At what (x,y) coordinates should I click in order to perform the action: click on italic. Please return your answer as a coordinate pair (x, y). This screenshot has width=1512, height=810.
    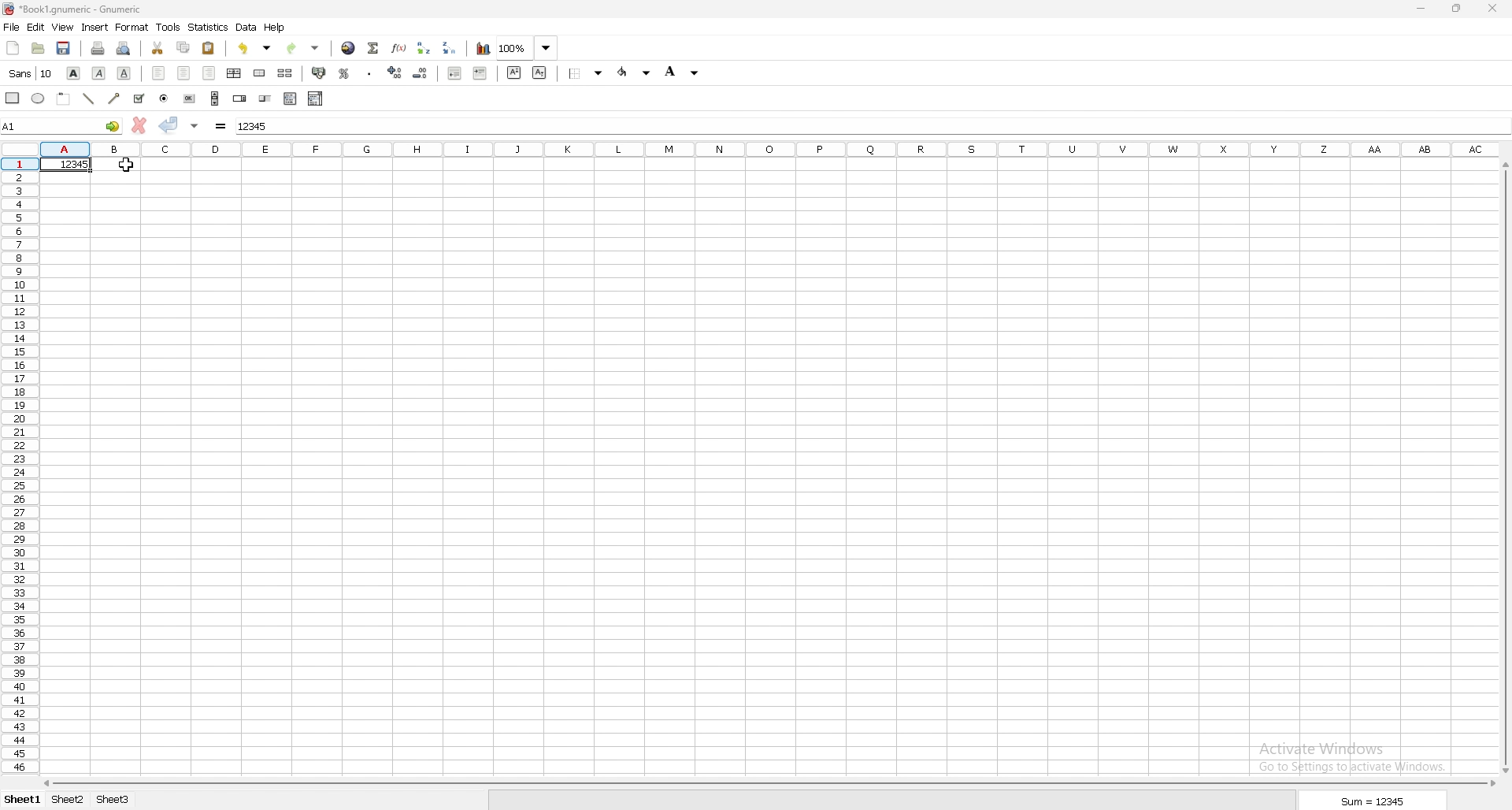
    Looking at the image, I should click on (98, 72).